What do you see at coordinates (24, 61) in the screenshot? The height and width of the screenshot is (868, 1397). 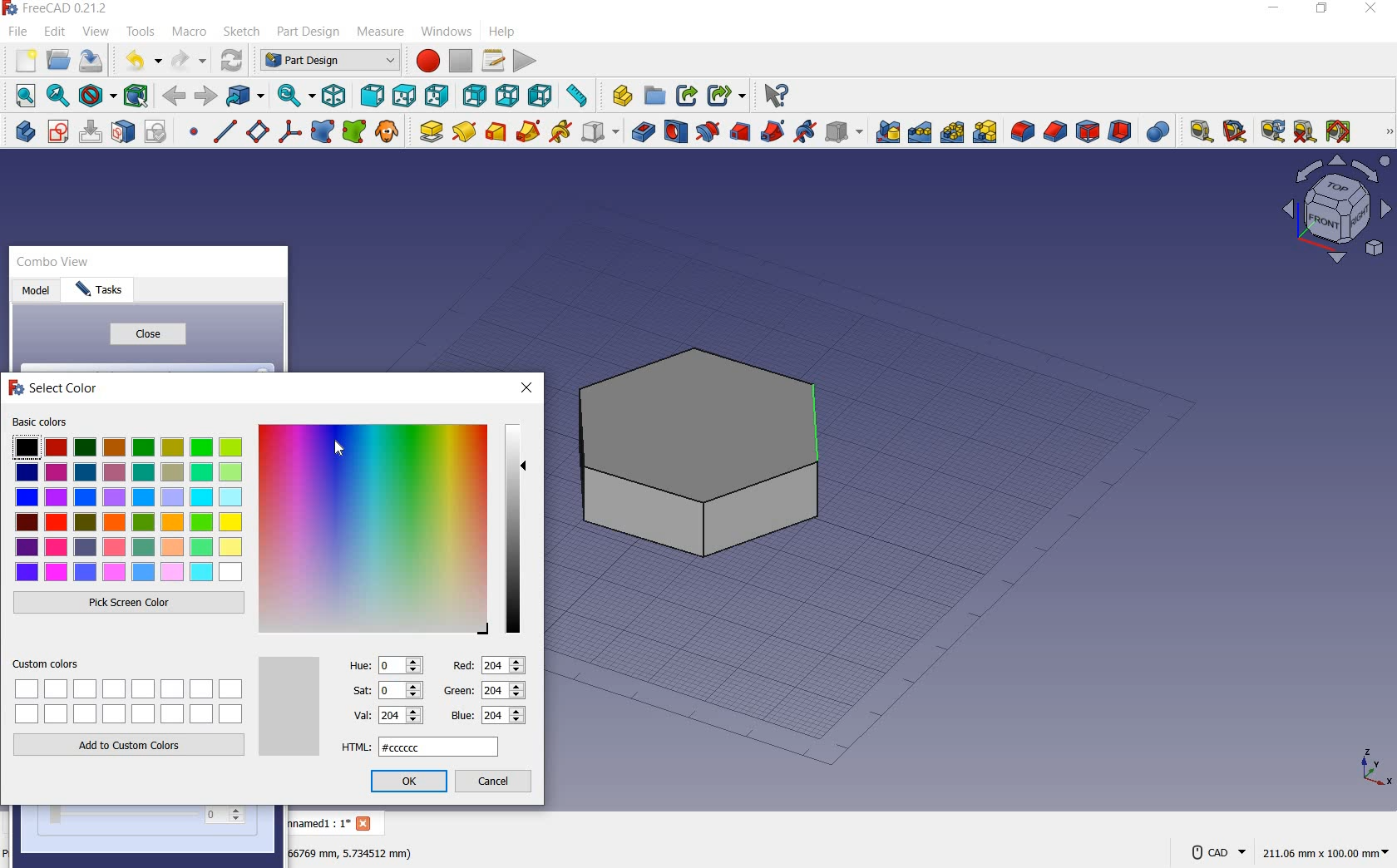 I see `new` at bounding box center [24, 61].